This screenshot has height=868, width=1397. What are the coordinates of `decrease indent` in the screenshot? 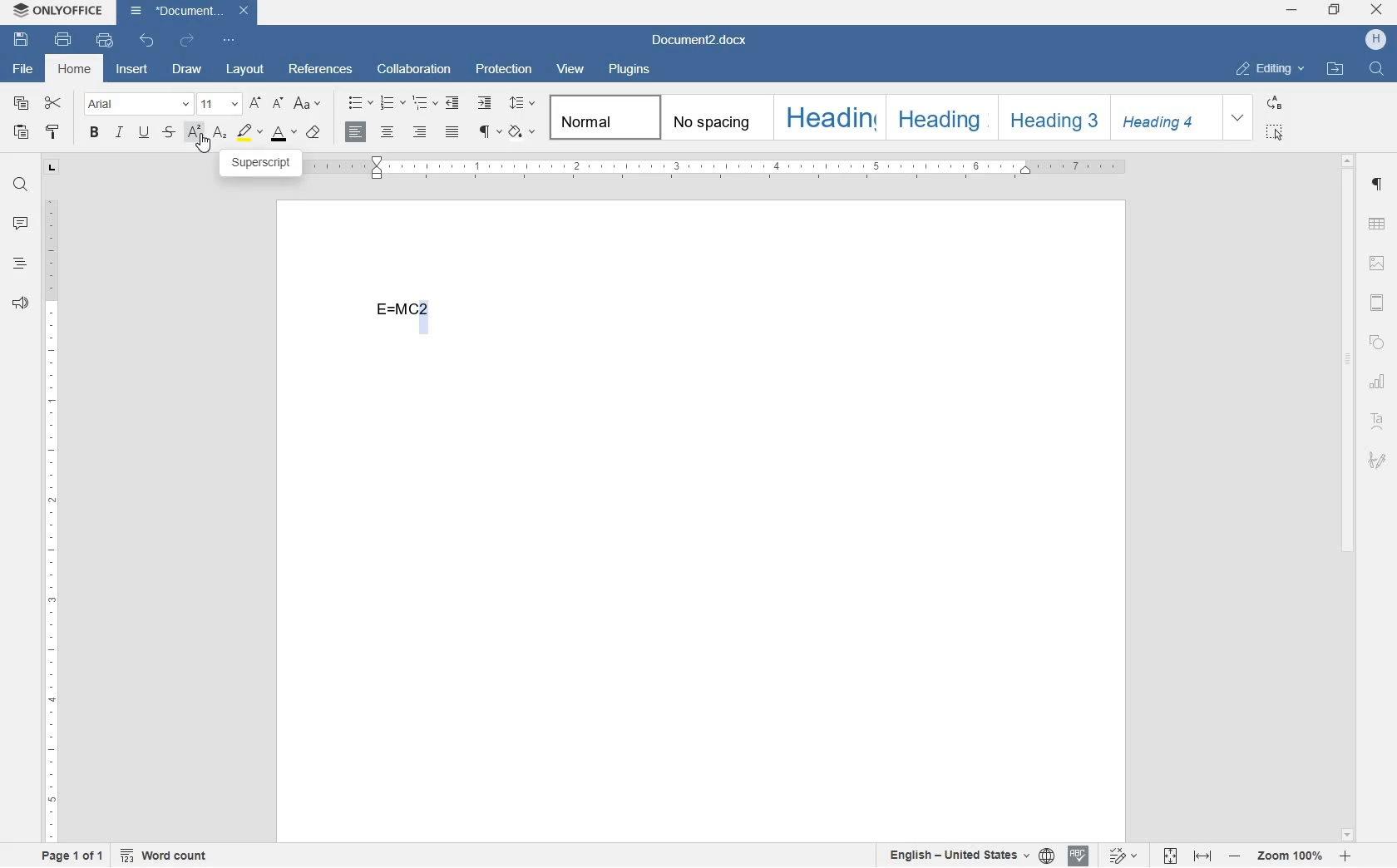 It's located at (454, 104).